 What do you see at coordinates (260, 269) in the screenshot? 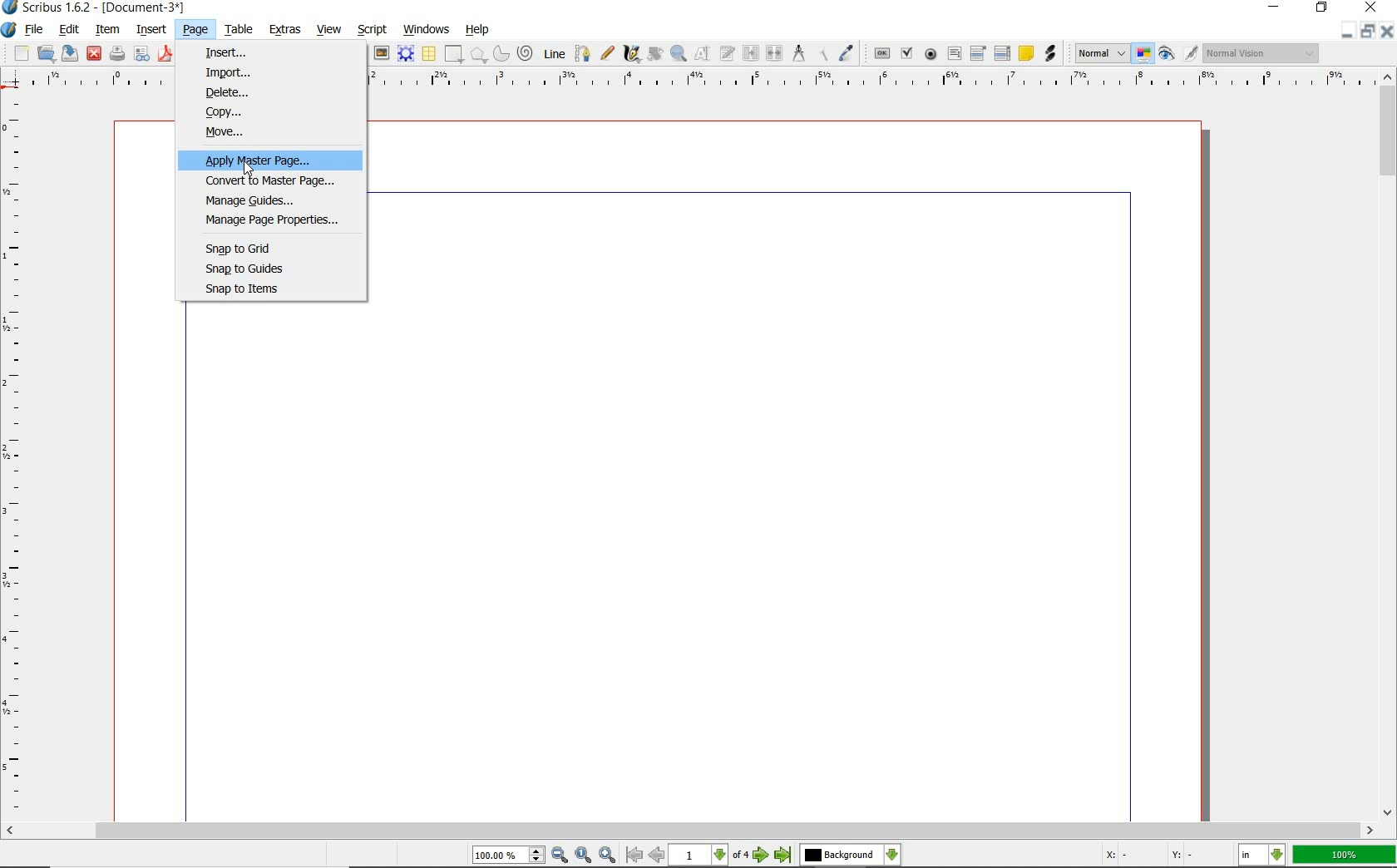
I see `snap to guides` at bounding box center [260, 269].